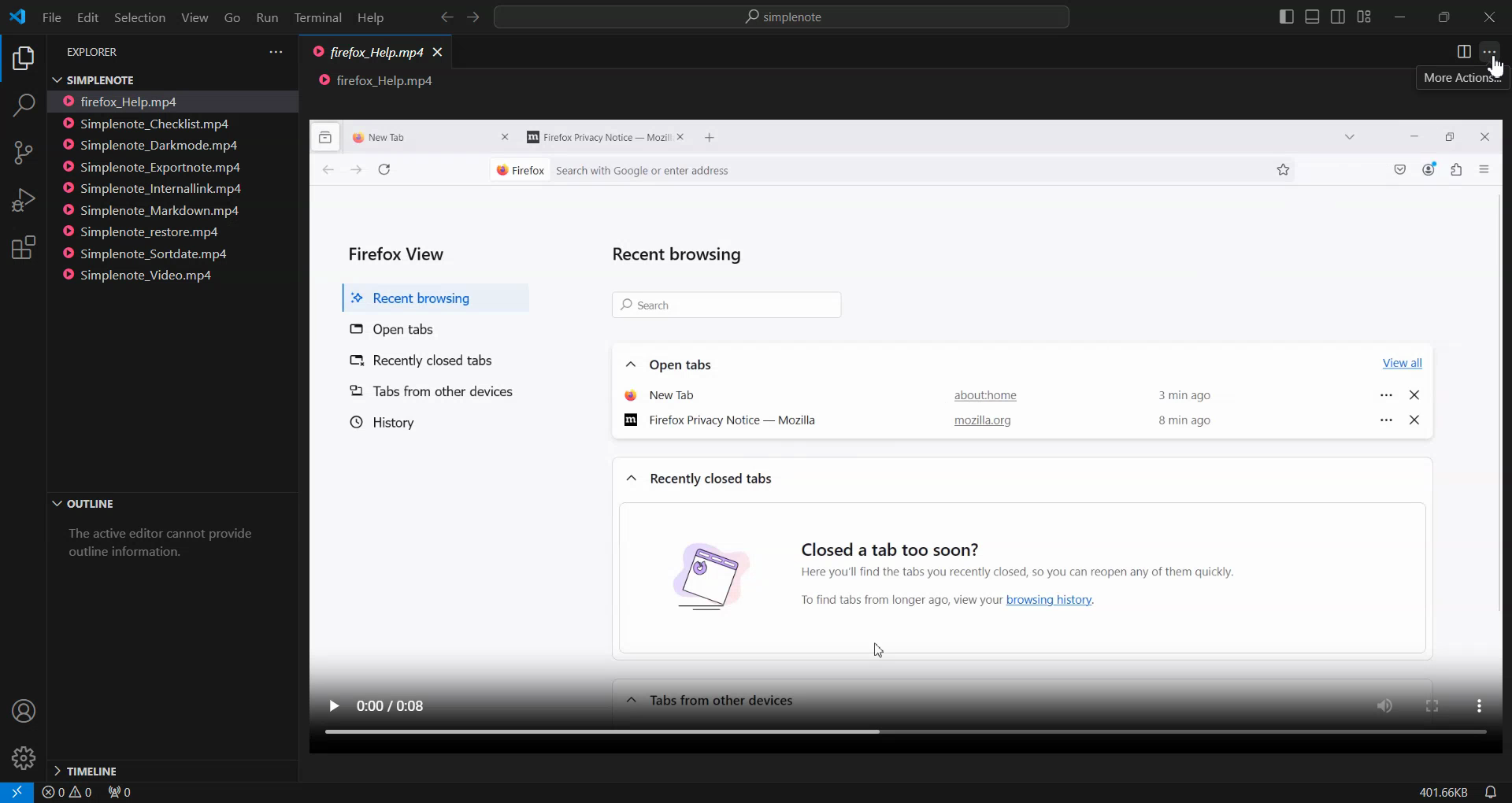  I want to click on 3 min ago, so click(1189, 392).